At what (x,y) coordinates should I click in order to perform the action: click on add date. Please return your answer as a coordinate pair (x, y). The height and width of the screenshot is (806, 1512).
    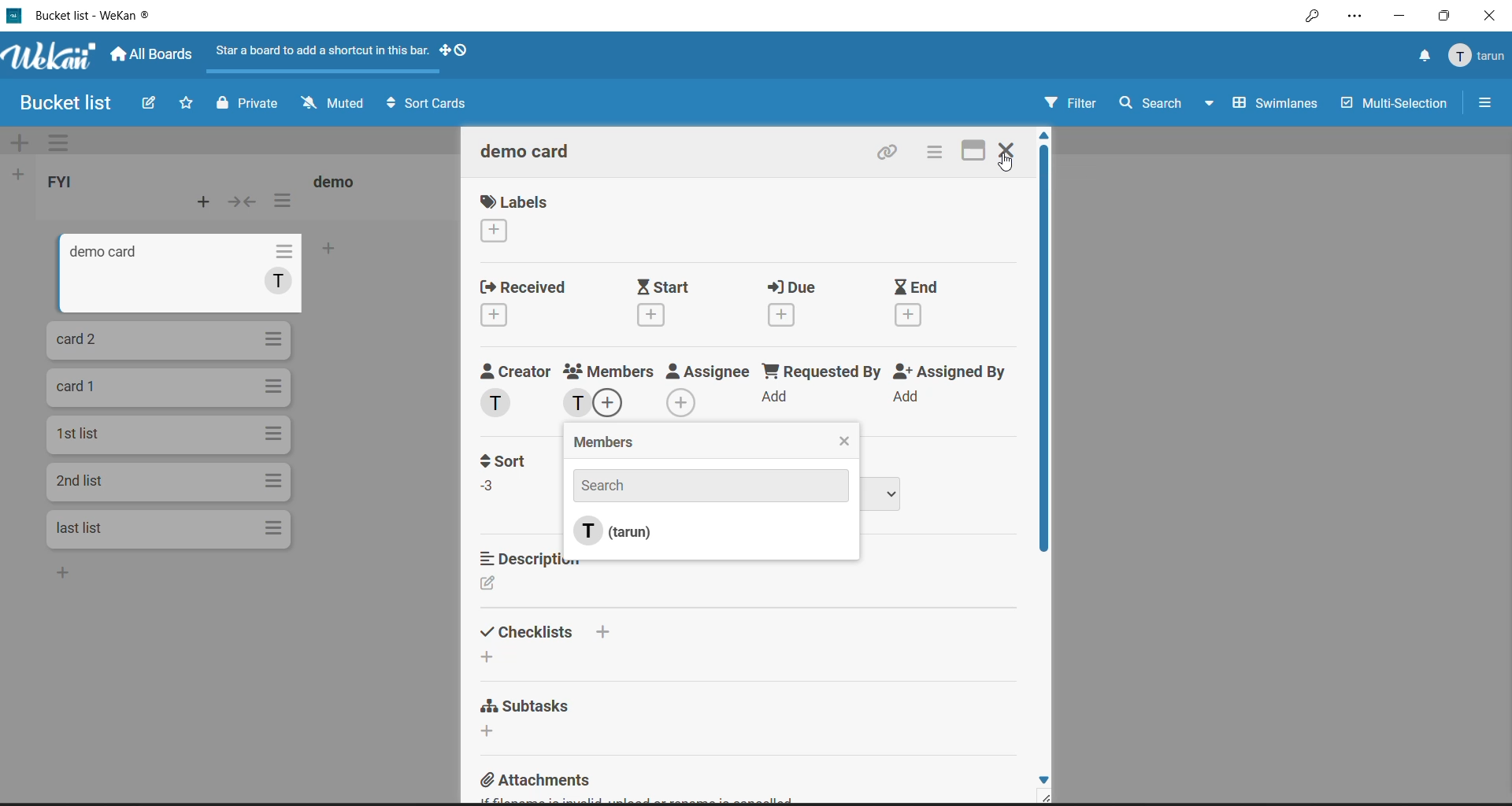
    Looking at the image, I should click on (784, 316).